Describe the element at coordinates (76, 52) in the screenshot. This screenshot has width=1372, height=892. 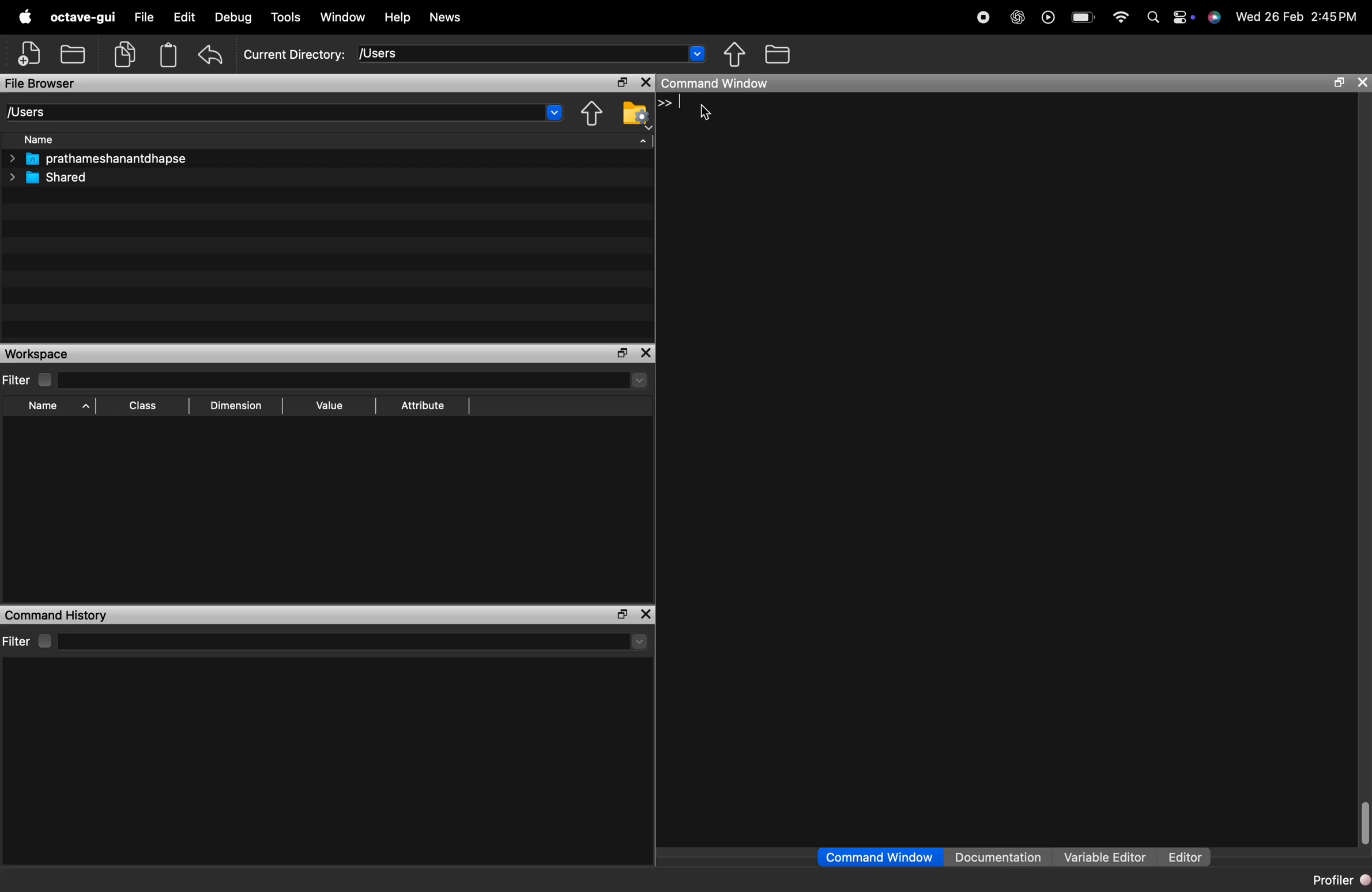
I see `save` at that location.